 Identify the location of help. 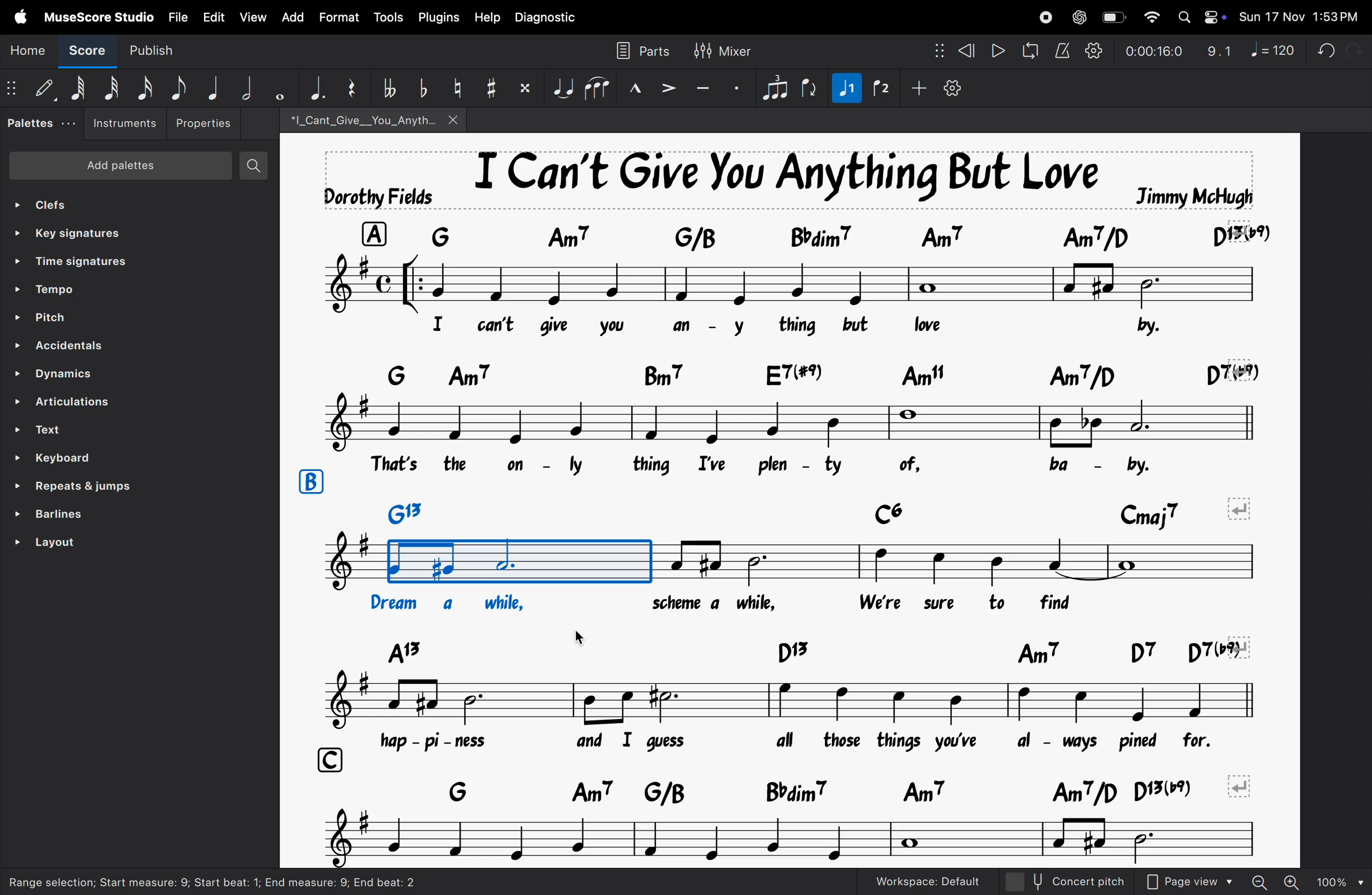
(487, 19).